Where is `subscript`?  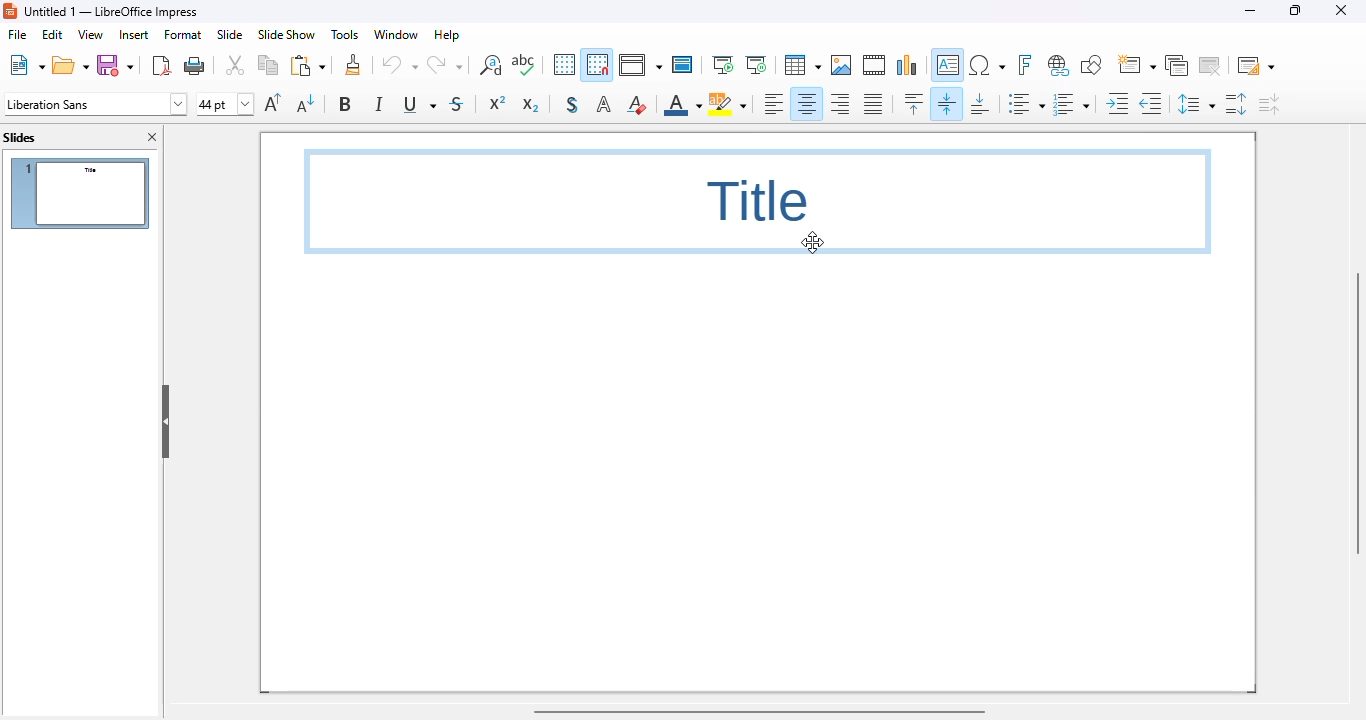 subscript is located at coordinates (529, 104).